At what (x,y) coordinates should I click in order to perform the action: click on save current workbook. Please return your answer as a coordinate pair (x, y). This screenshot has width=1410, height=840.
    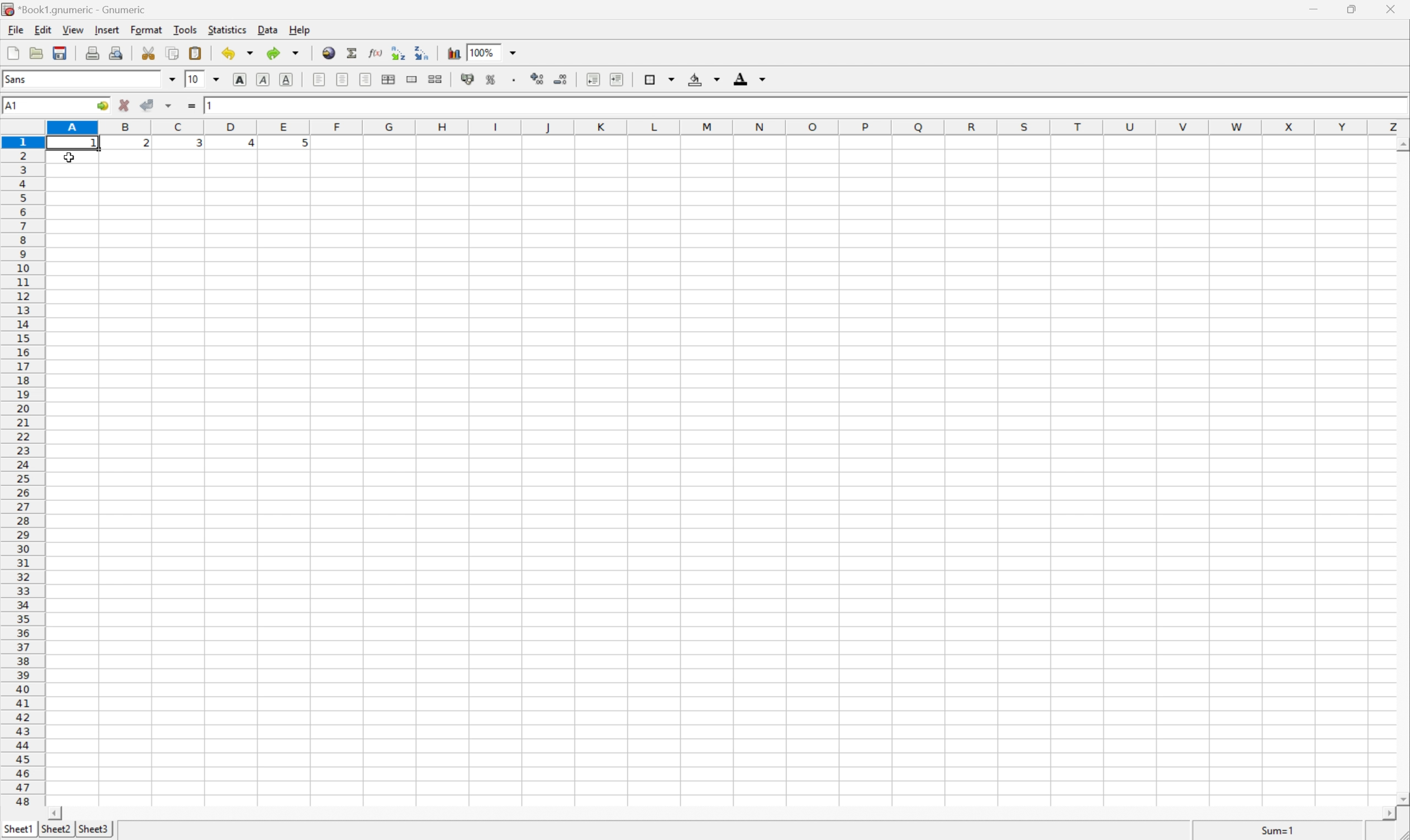
    Looking at the image, I should click on (60, 53).